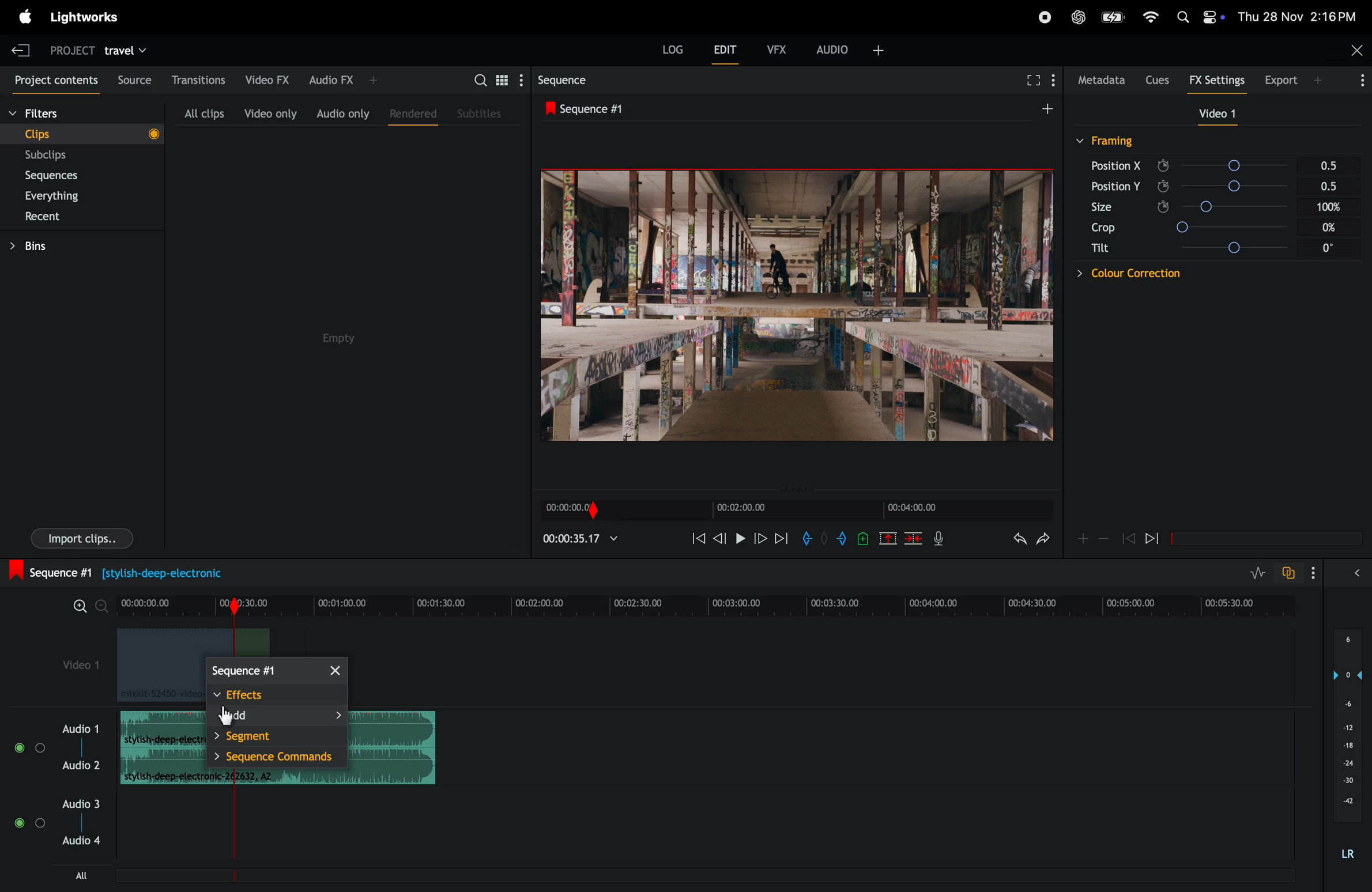 This screenshot has height=892, width=1372. What do you see at coordinates (759, 538) in the screenshot?
I see `next frame` at bounding box center [759, 538].